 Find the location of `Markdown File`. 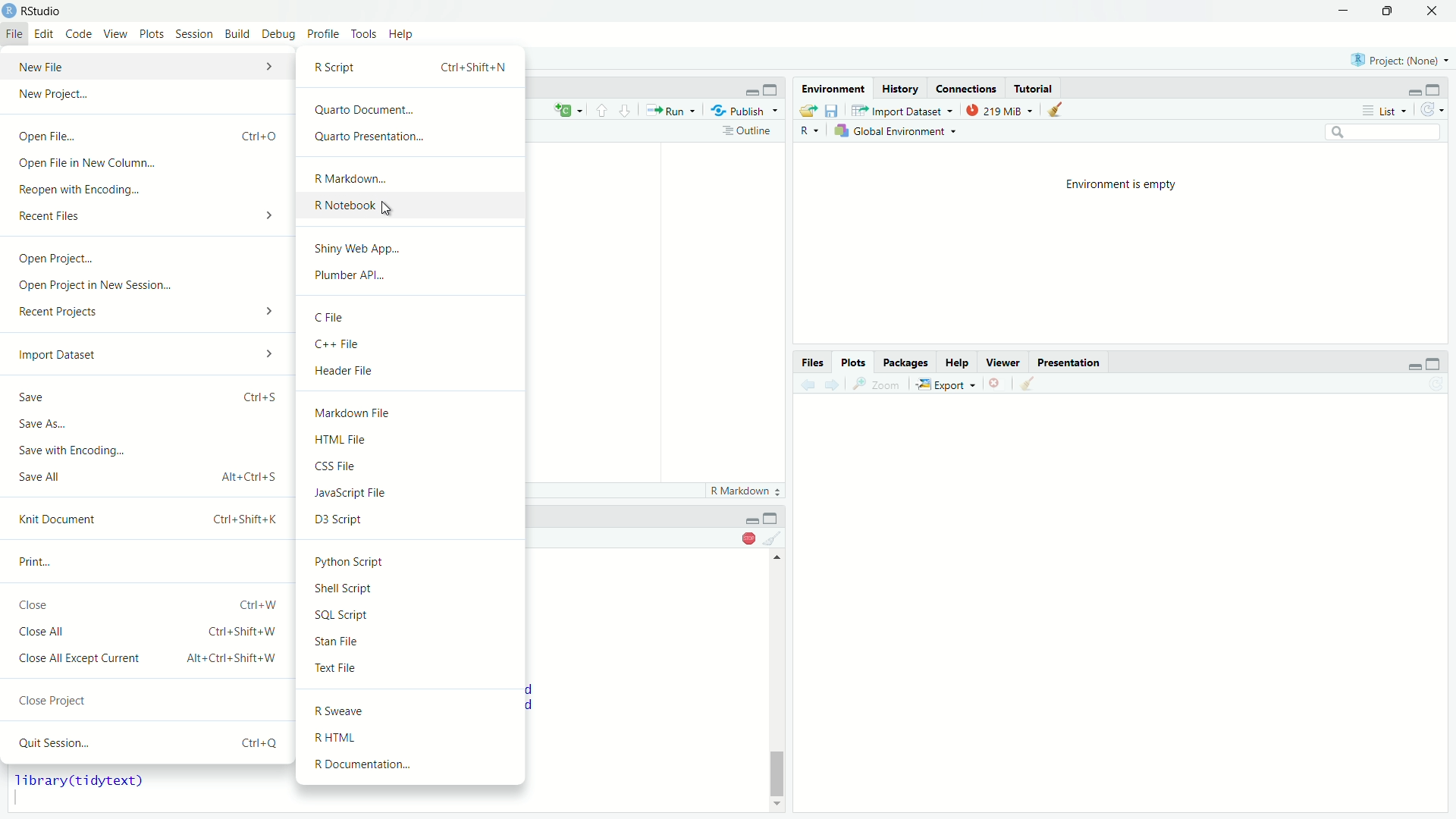

Markdown File is located at coordinates (414, 411).